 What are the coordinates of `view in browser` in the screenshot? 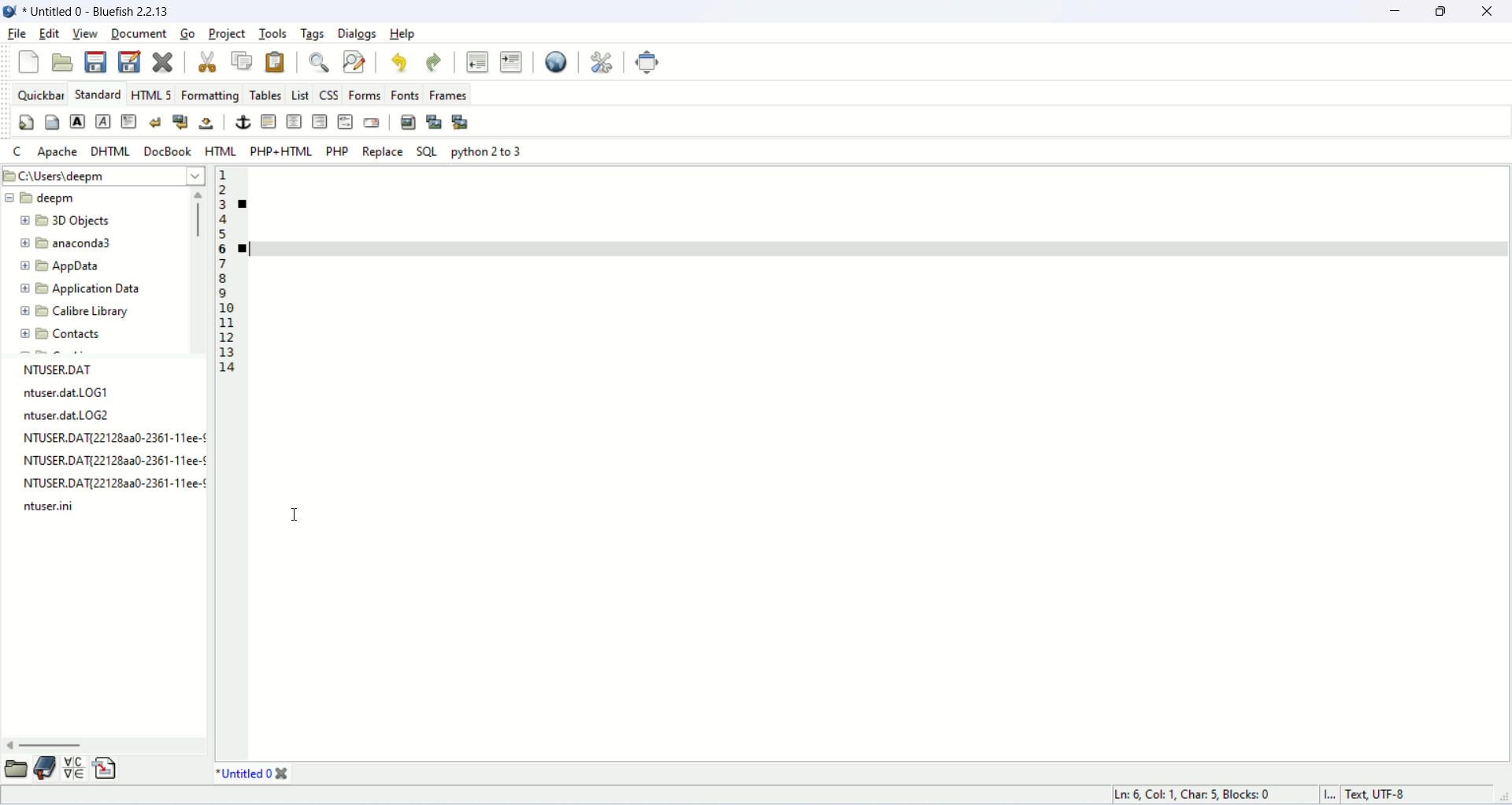 It's located at (556, 61).